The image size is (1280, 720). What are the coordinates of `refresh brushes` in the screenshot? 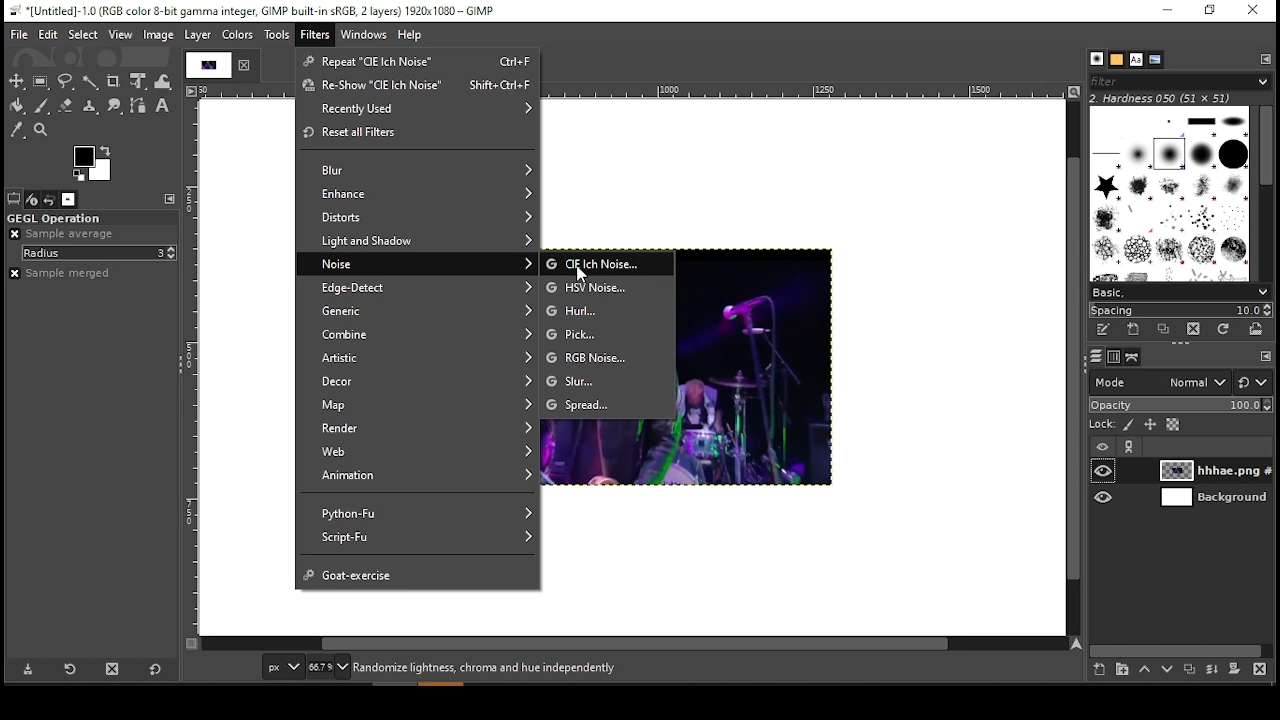 It's located at (1228, 332).